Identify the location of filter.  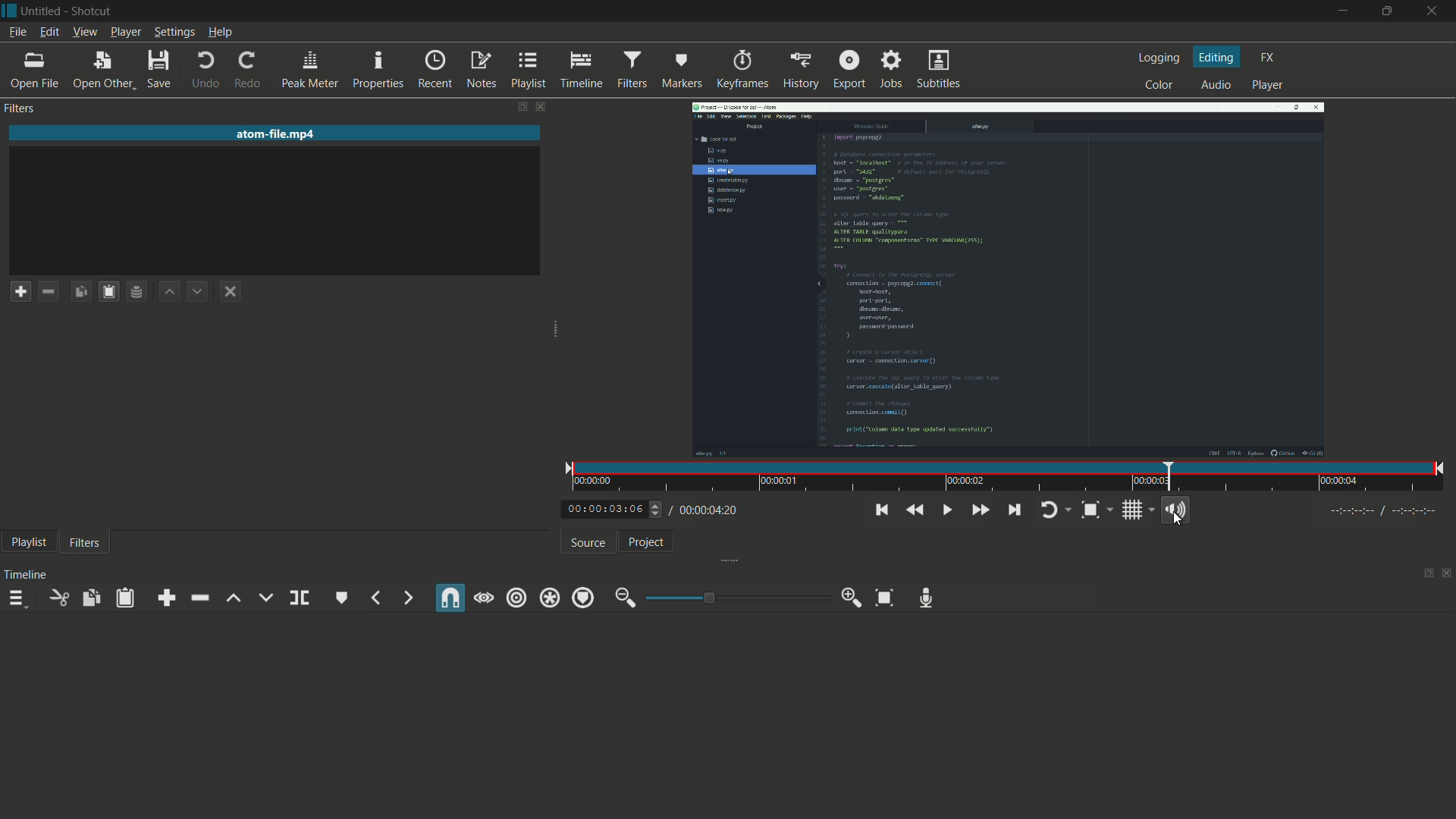
(86, 544).